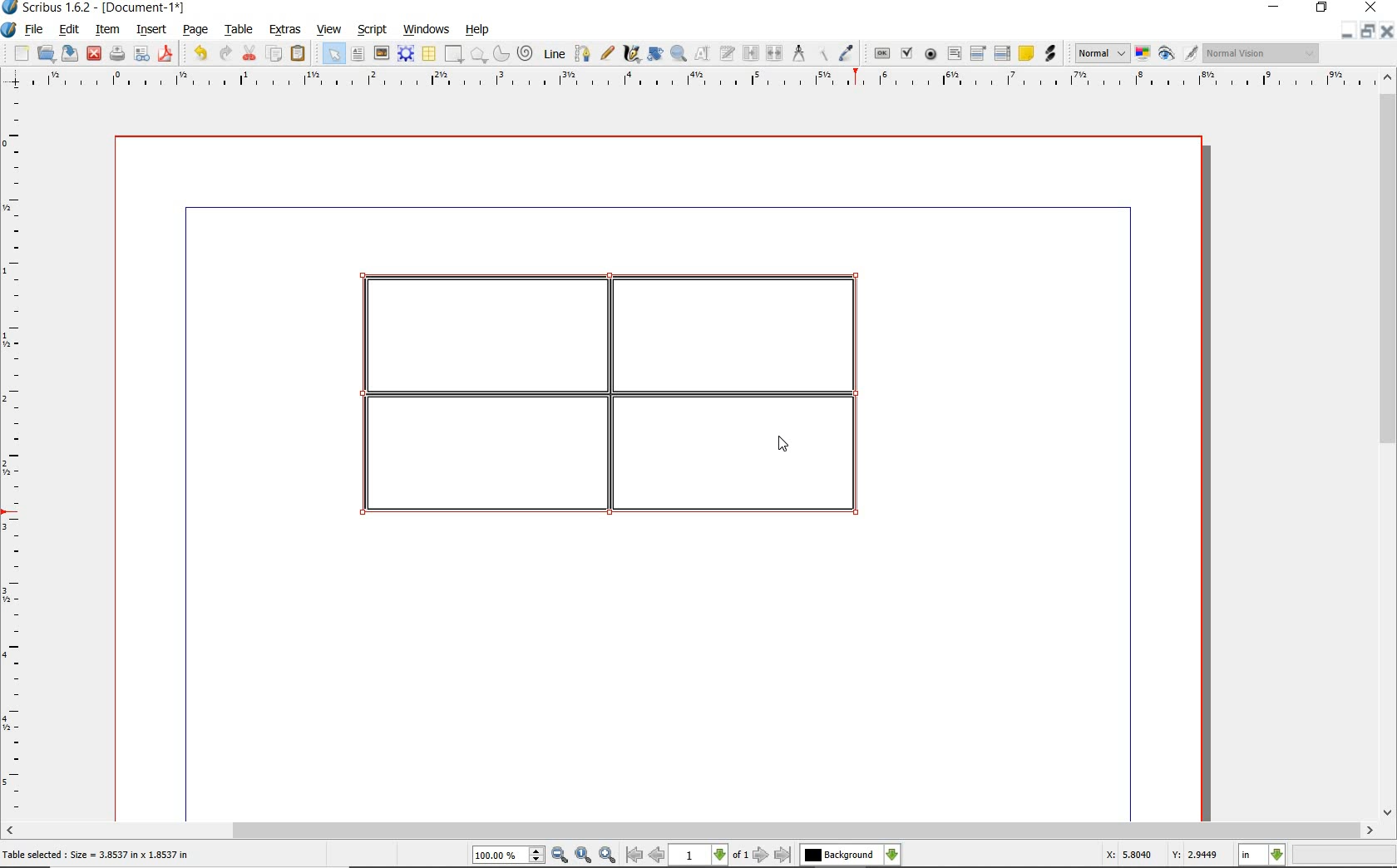  What do you see at coordinates (251, 52) in the screenshot?
I see `cut` at bounding box center [251, 52].